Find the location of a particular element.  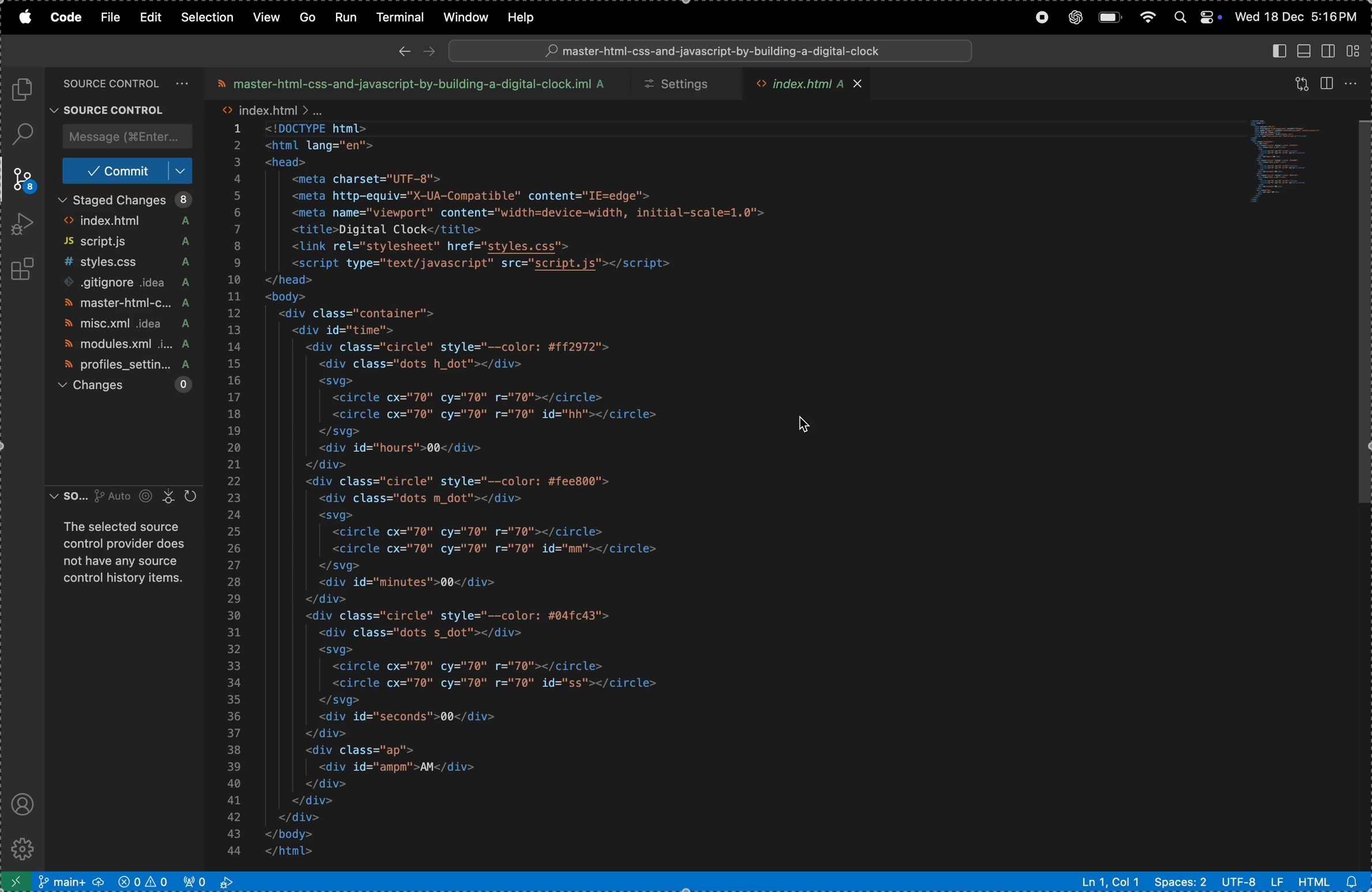

master file is located at coordinates (126, 304).